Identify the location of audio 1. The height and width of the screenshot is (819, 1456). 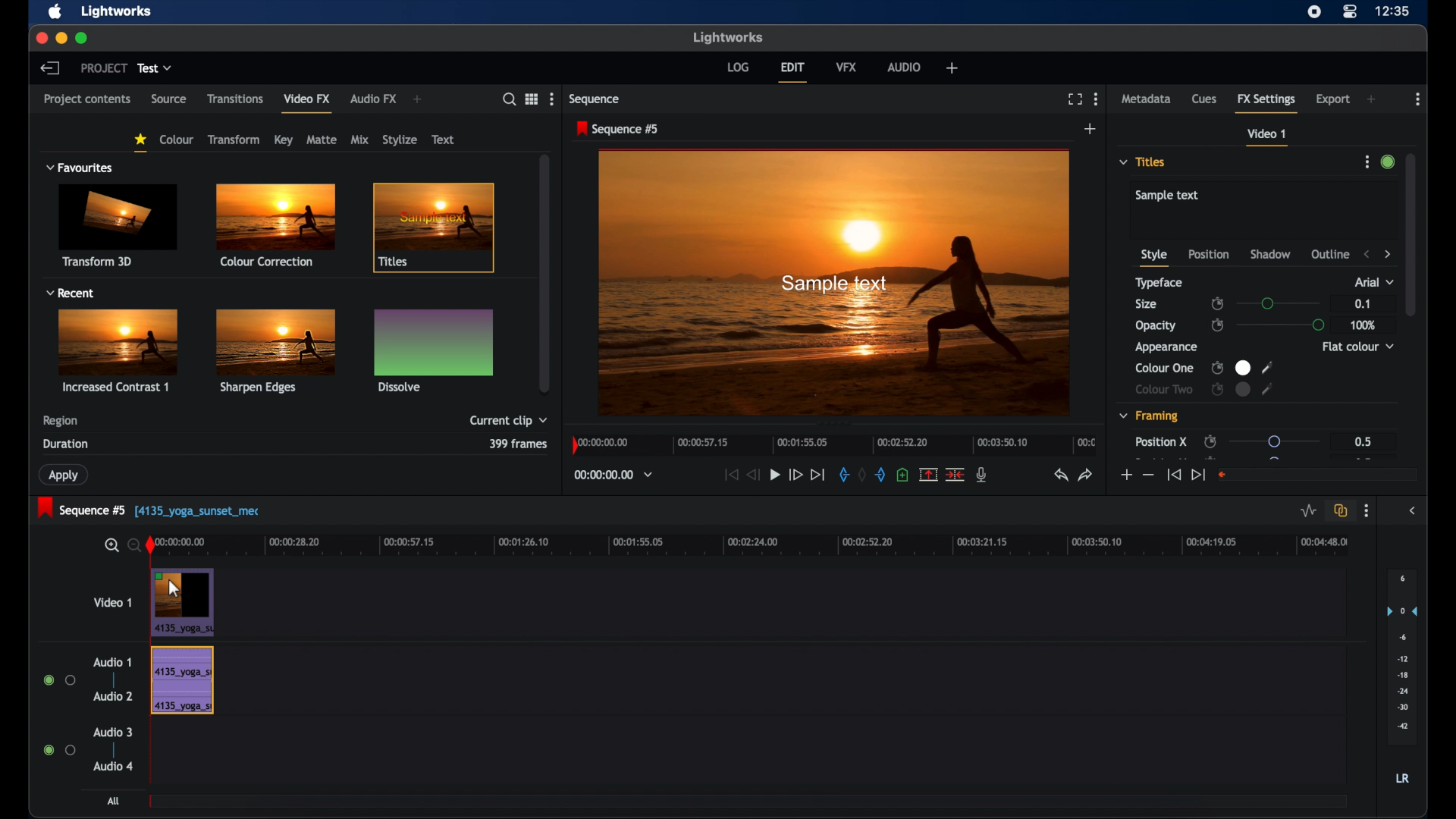
(112, 663).